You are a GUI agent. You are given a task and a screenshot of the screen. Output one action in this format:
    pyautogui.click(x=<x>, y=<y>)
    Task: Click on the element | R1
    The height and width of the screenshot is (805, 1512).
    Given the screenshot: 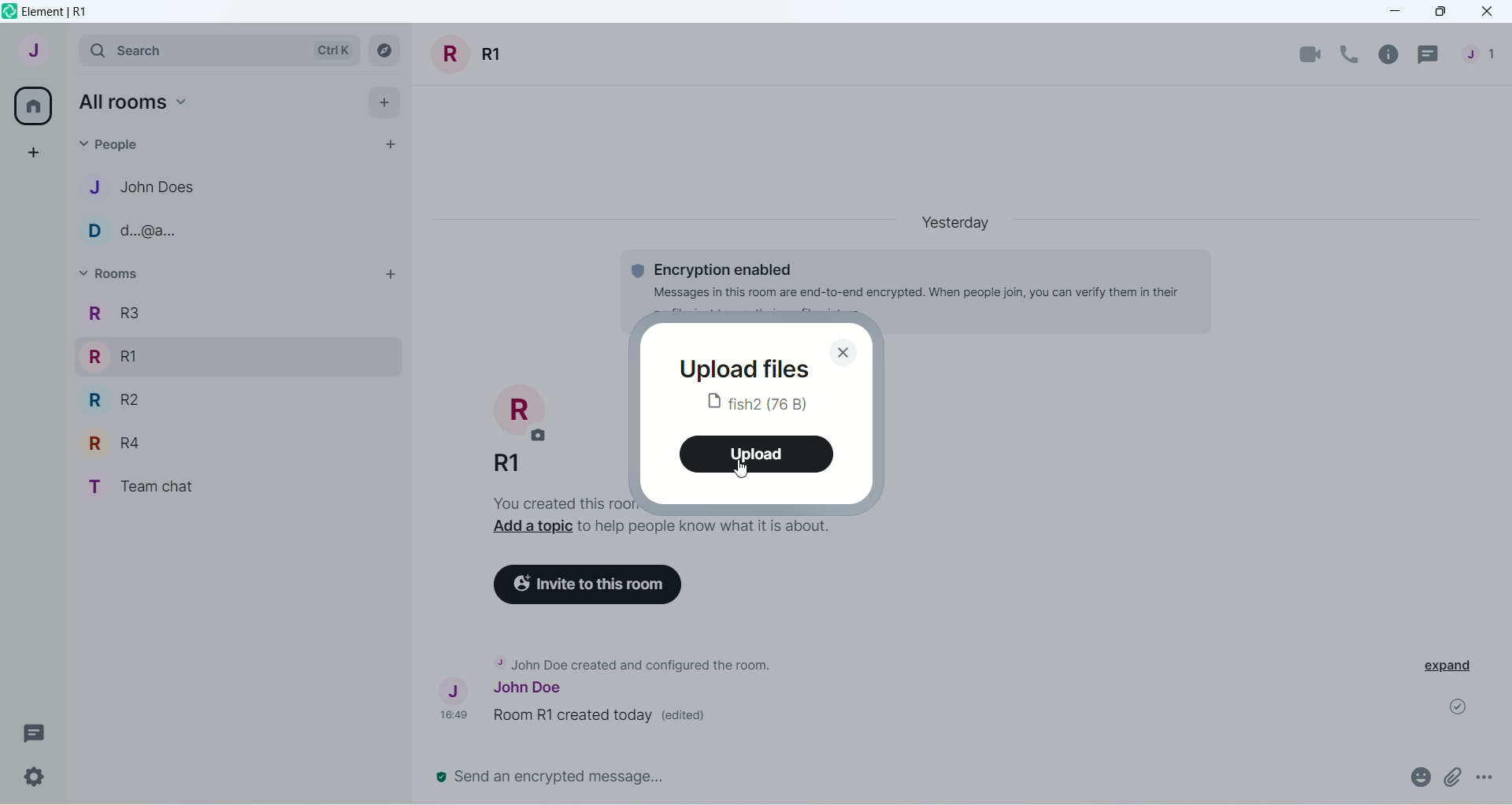 What is the action you would take?
    pyautogui.click(x=72, y=12)
    